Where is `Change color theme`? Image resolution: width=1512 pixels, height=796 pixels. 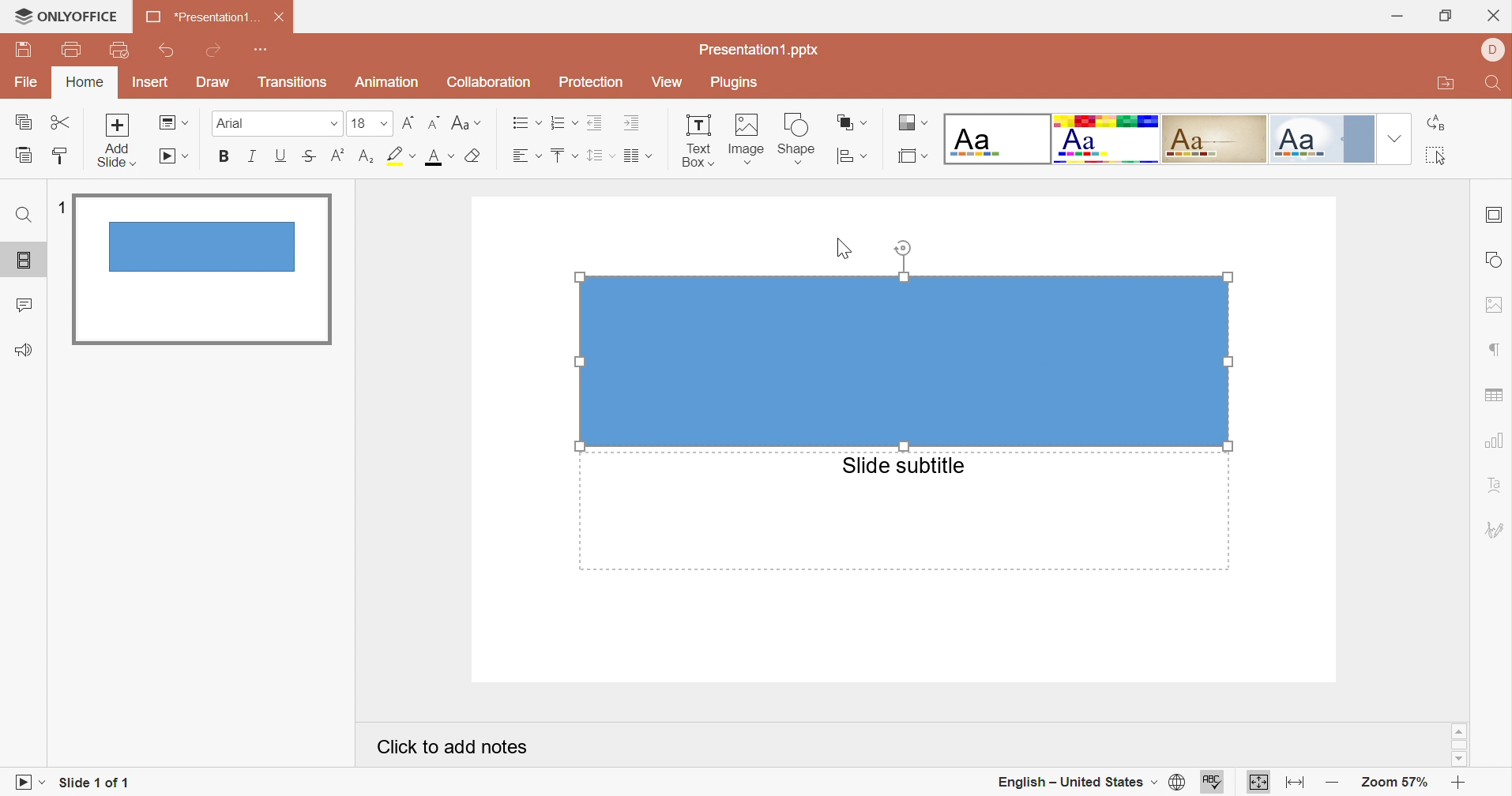
Change color theme is located at coordinates (910, 123).